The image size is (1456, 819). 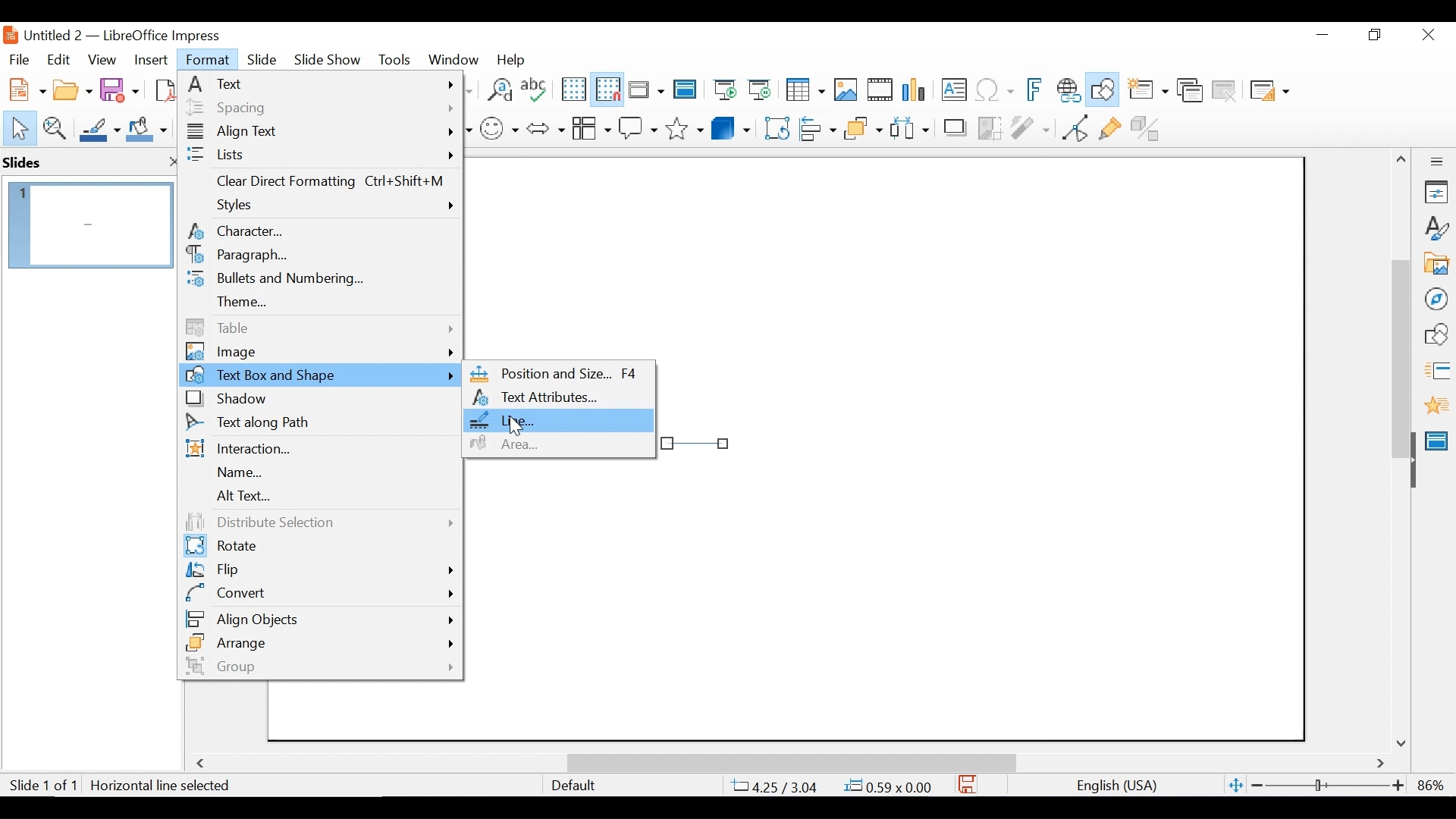 What do you see at coordinates (1373, 35) in the screenshot?
I see `Restore` at bounding box center [1373, 35].